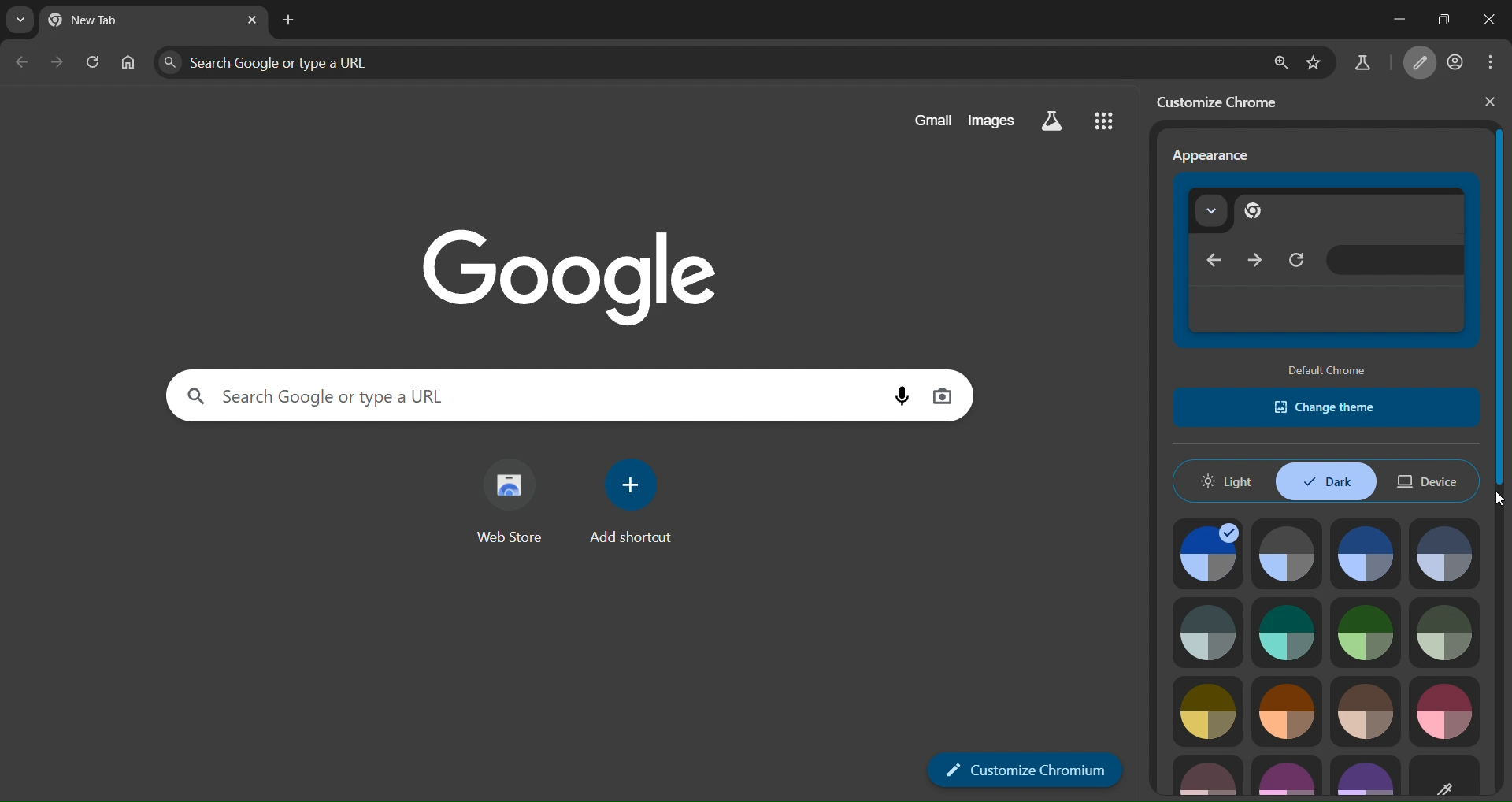 The width and height of the screenshot is (1512, 802). I want to click on earch tabs, so click(17, 20).